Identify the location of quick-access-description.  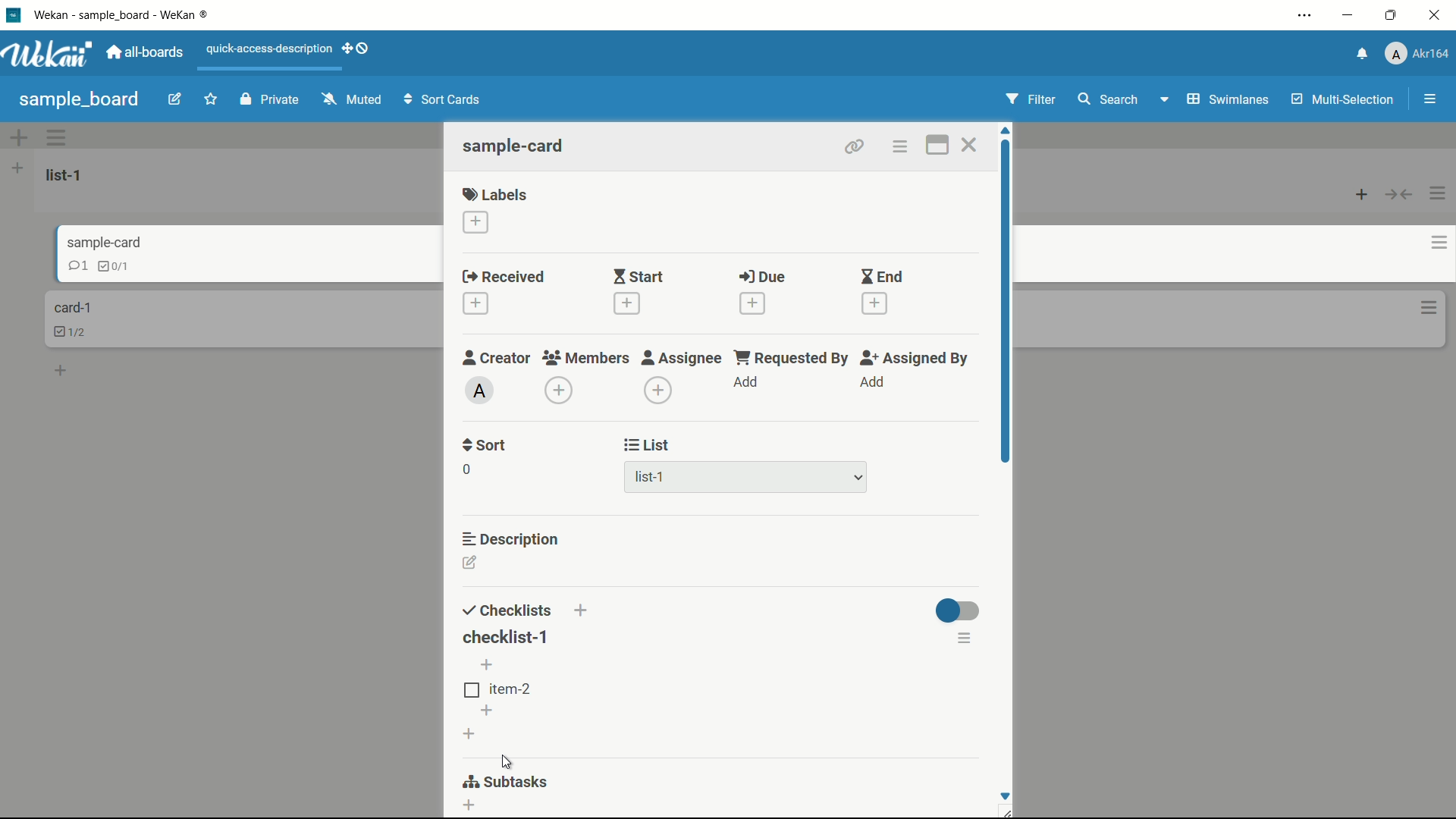
(269, 49).